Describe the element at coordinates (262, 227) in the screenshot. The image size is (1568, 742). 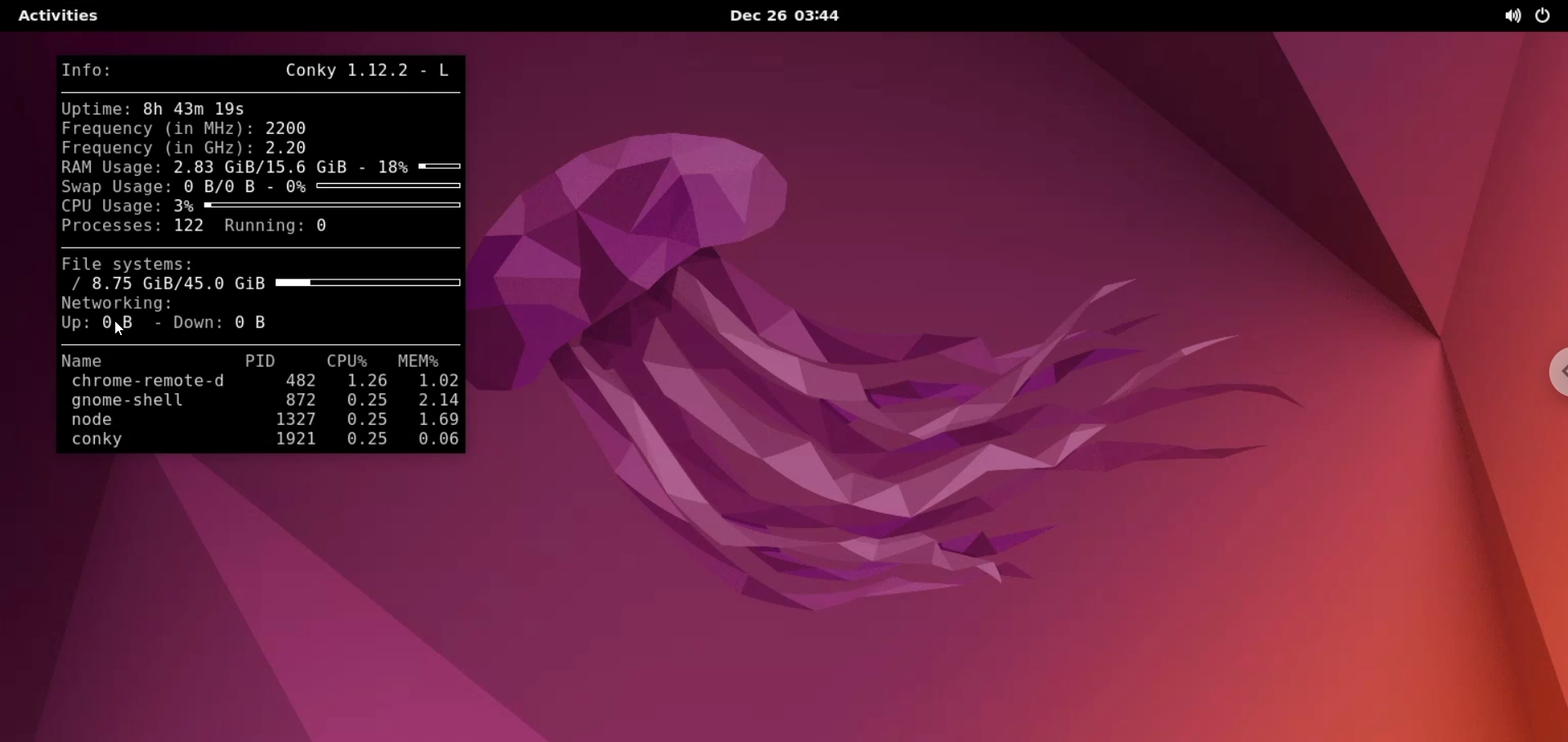
I see `running:` at that location.